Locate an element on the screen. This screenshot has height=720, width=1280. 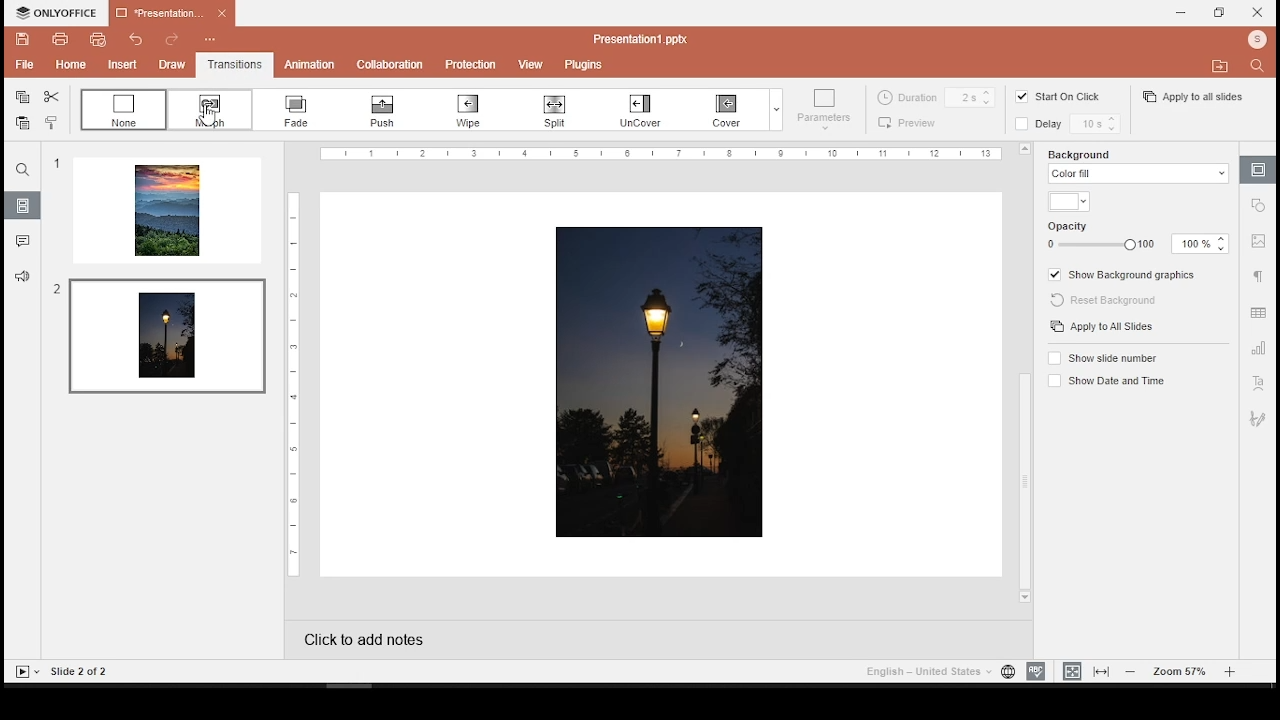
slide style is located at coordinates (1077, 99).